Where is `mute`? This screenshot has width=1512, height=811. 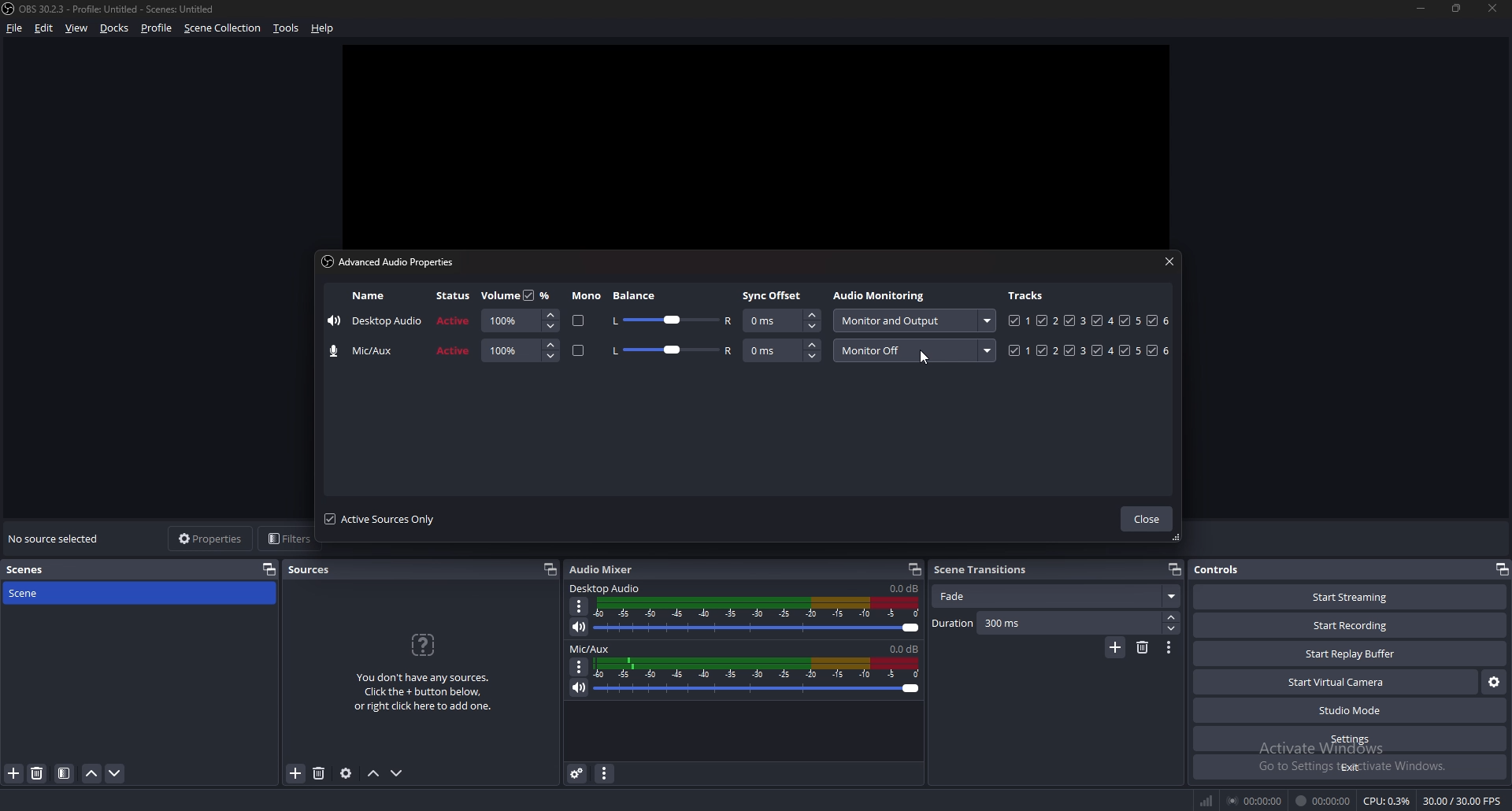
mute is located at coordinates (580, 687).